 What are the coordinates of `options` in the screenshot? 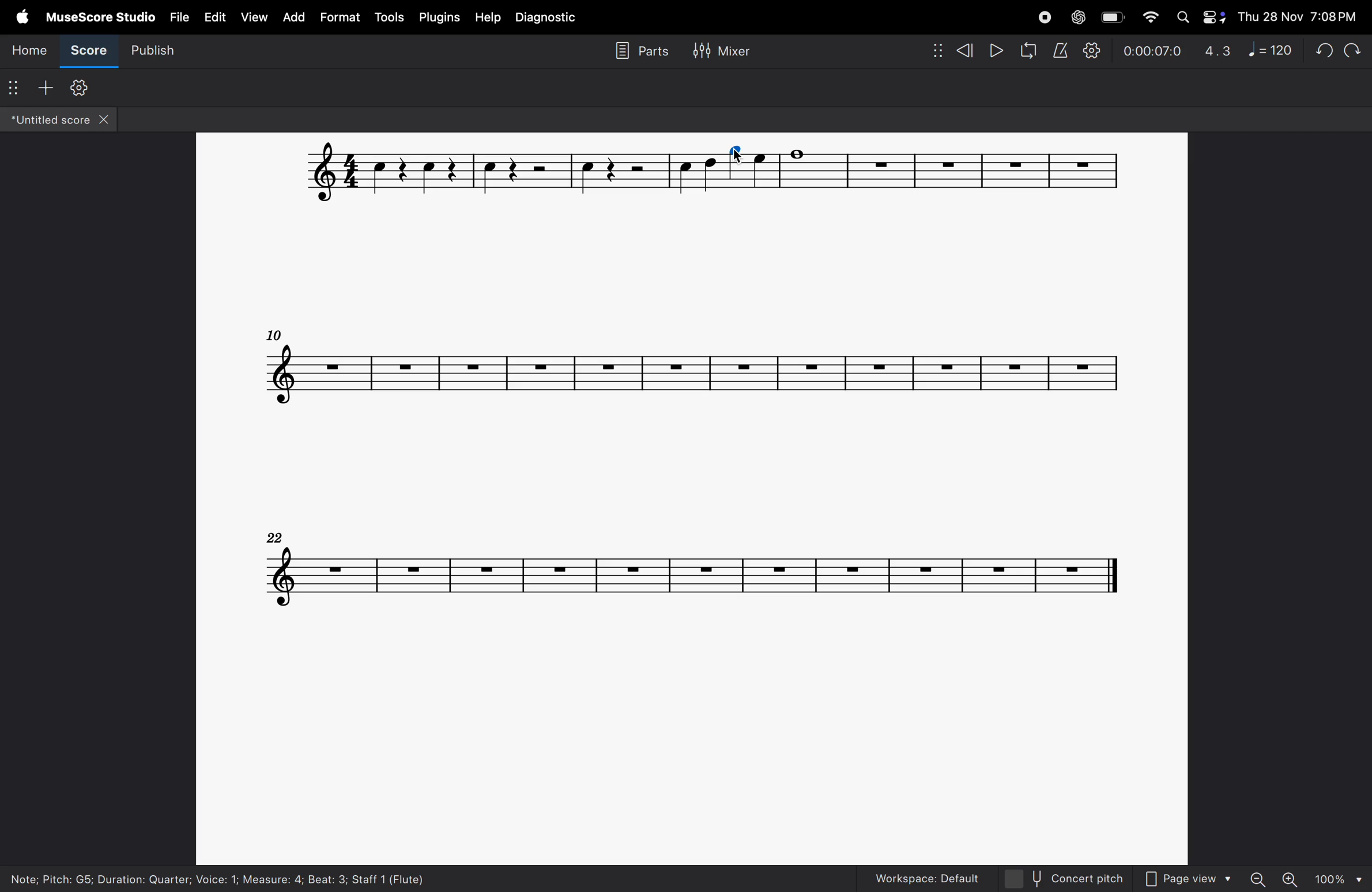 It's located at (15, 85).